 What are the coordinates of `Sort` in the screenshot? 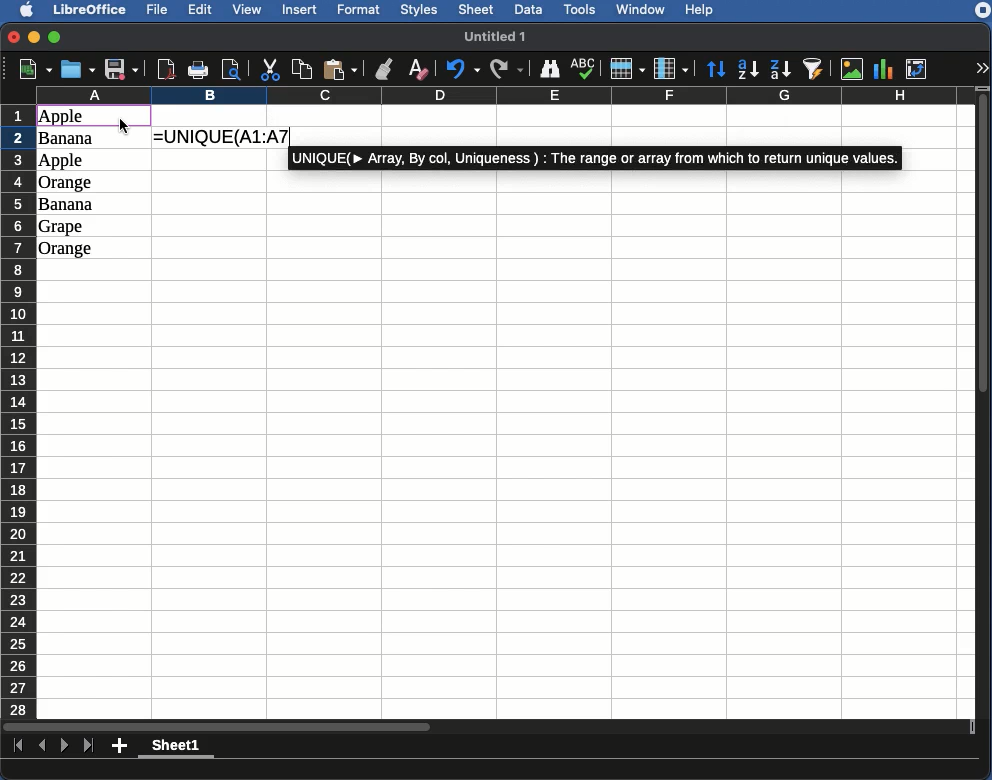 It's located at (718, 68).